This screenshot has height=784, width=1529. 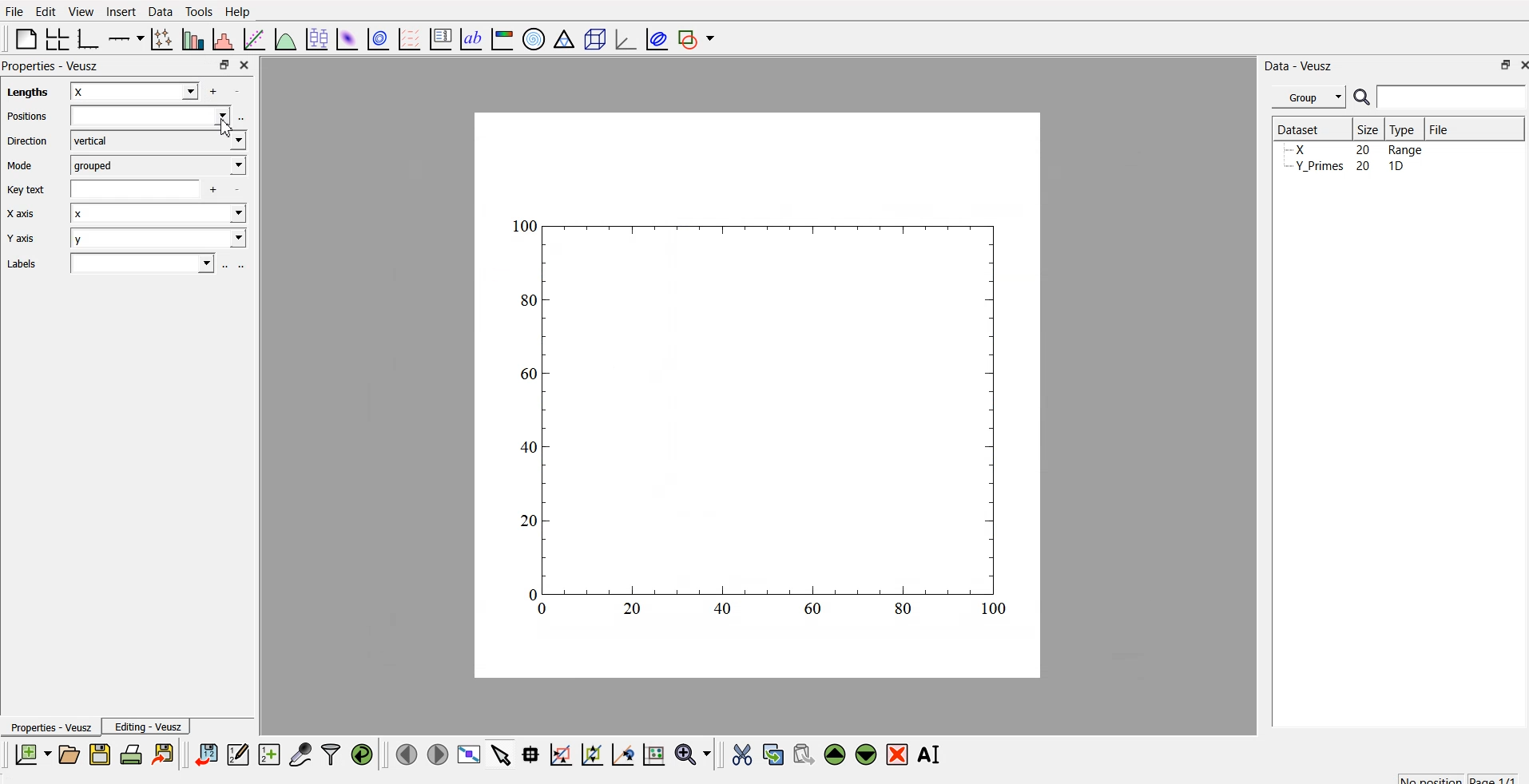 I want to click on Editing - Veusz, so click(x=150, y=727).